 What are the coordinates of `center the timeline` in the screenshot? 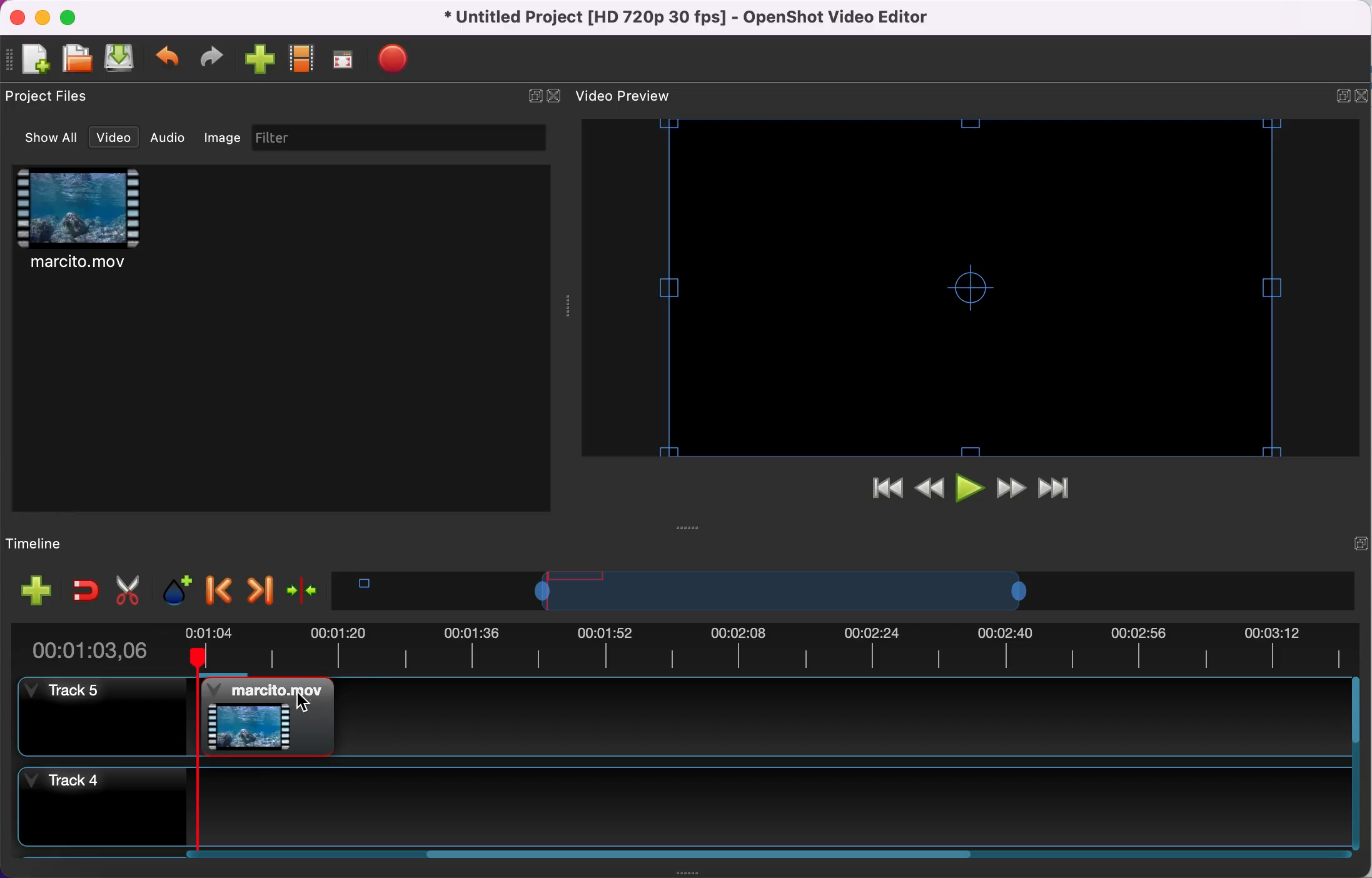 It's located at (312, 595).